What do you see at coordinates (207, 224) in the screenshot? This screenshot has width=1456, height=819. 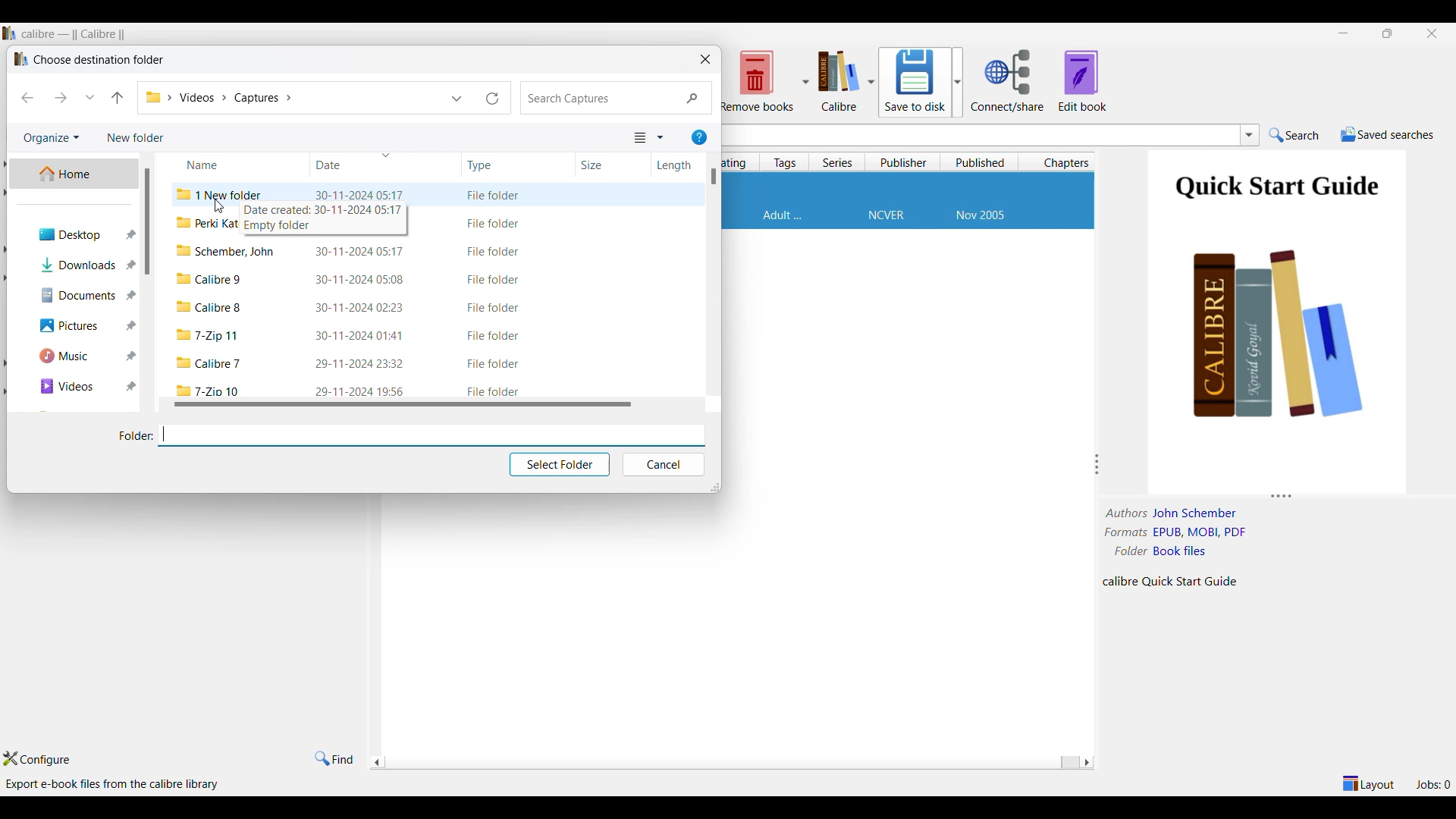 I see `folder` at bounding box center [207, 224].